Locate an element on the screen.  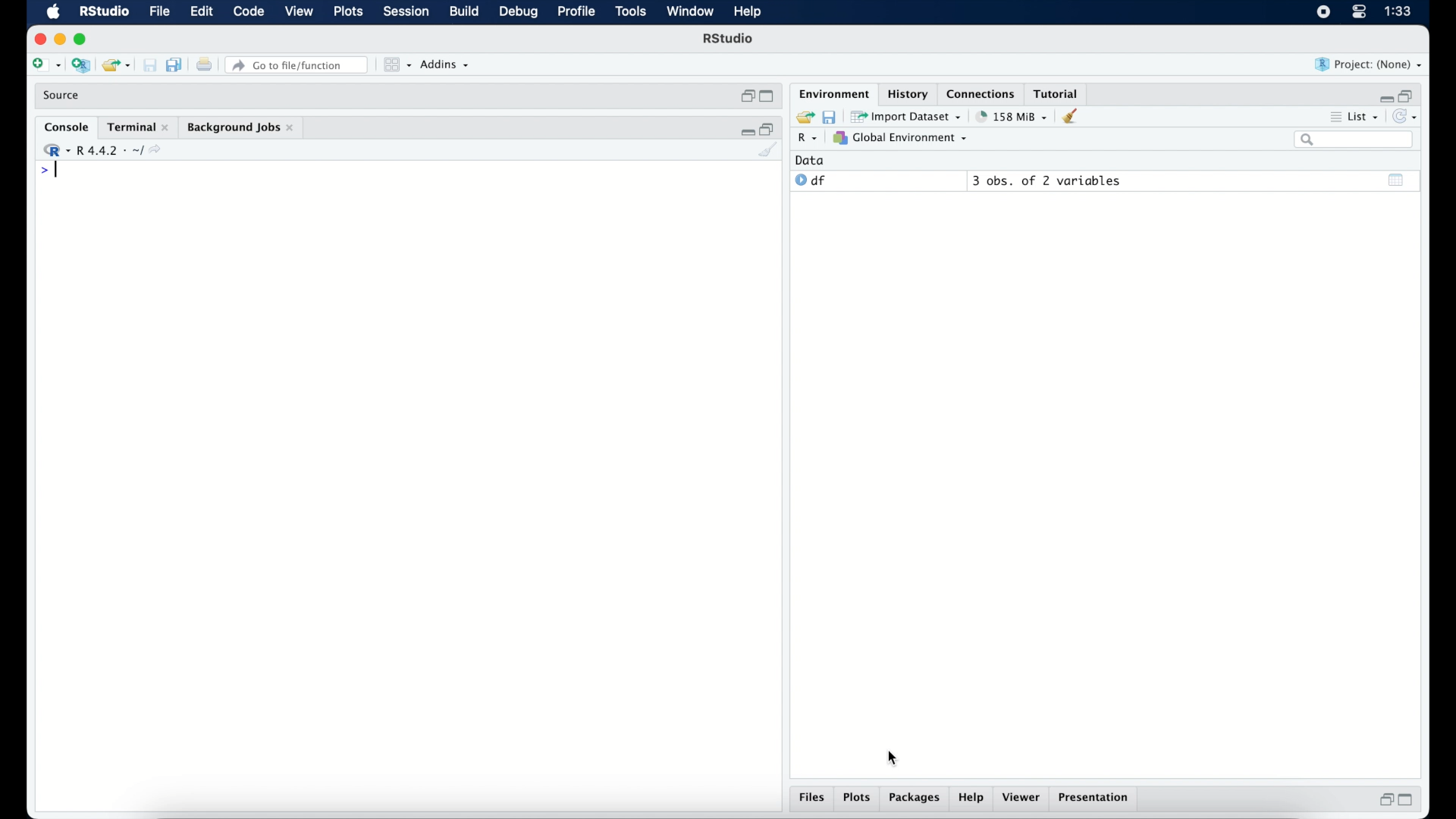
maximize is located at coordinates (1407, 801).